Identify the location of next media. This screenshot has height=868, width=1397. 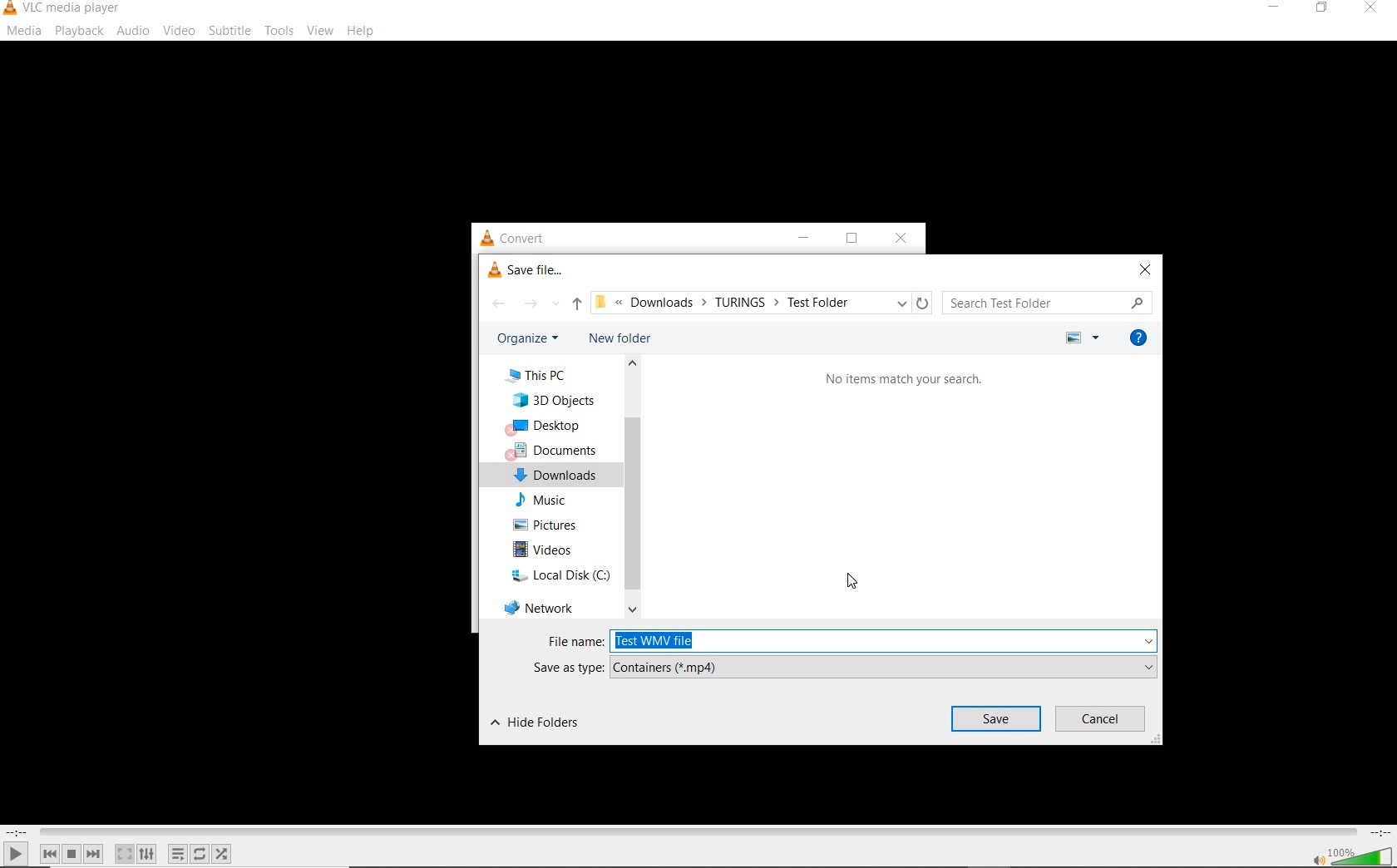
(95, 854).